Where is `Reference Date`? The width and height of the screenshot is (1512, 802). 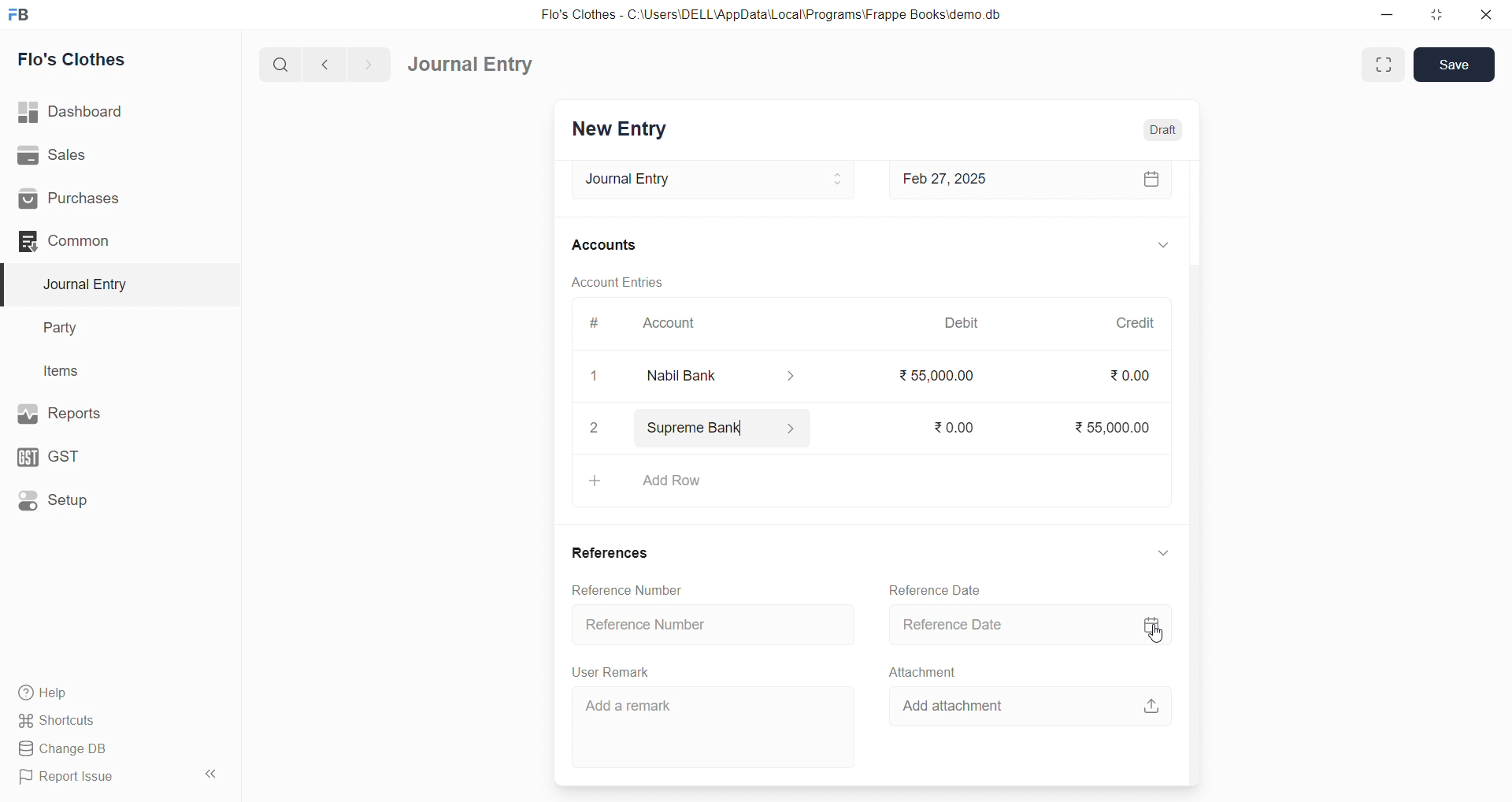
Reference Date is located at coordinates (939, 589).